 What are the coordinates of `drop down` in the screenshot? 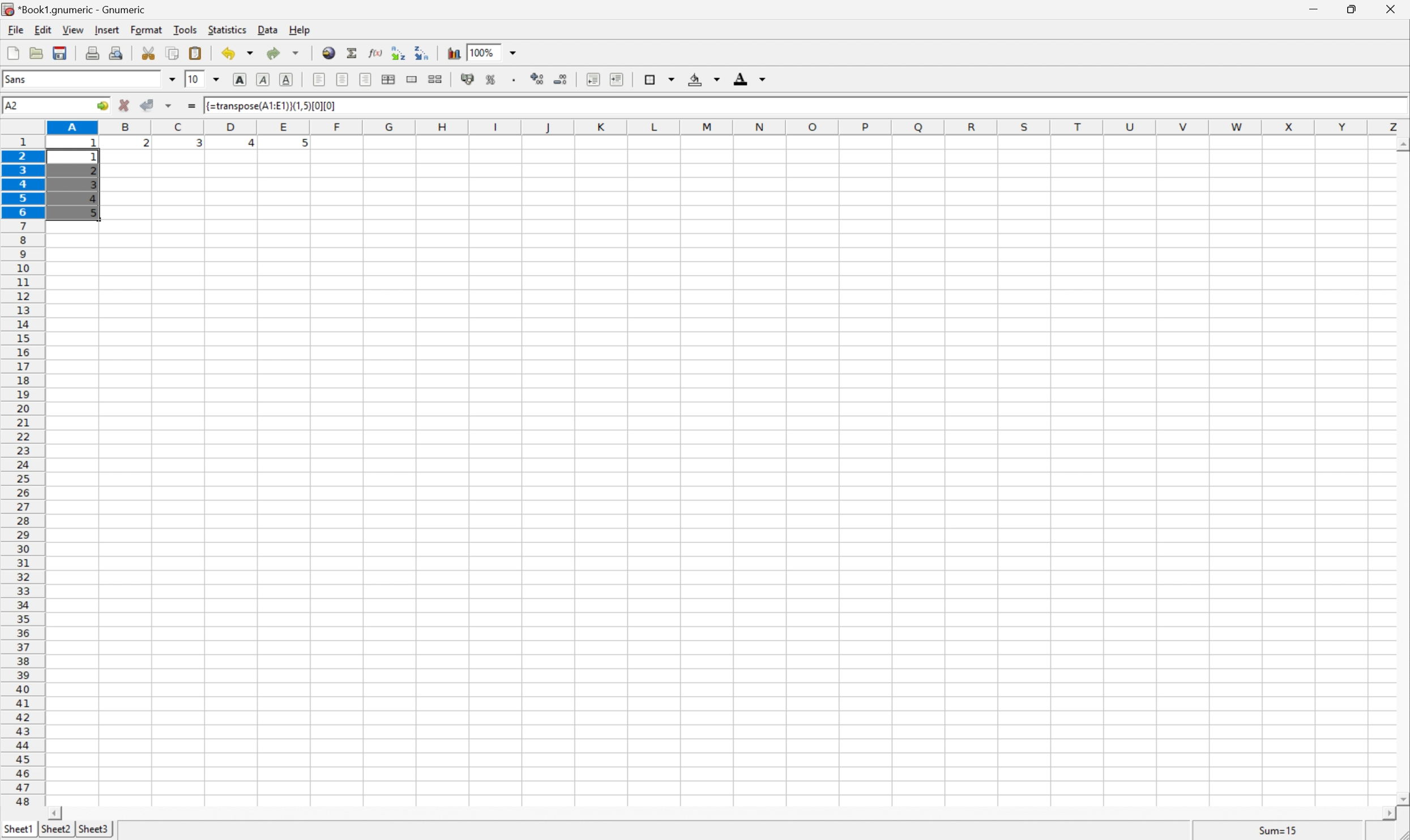 It's located at (172, 81).